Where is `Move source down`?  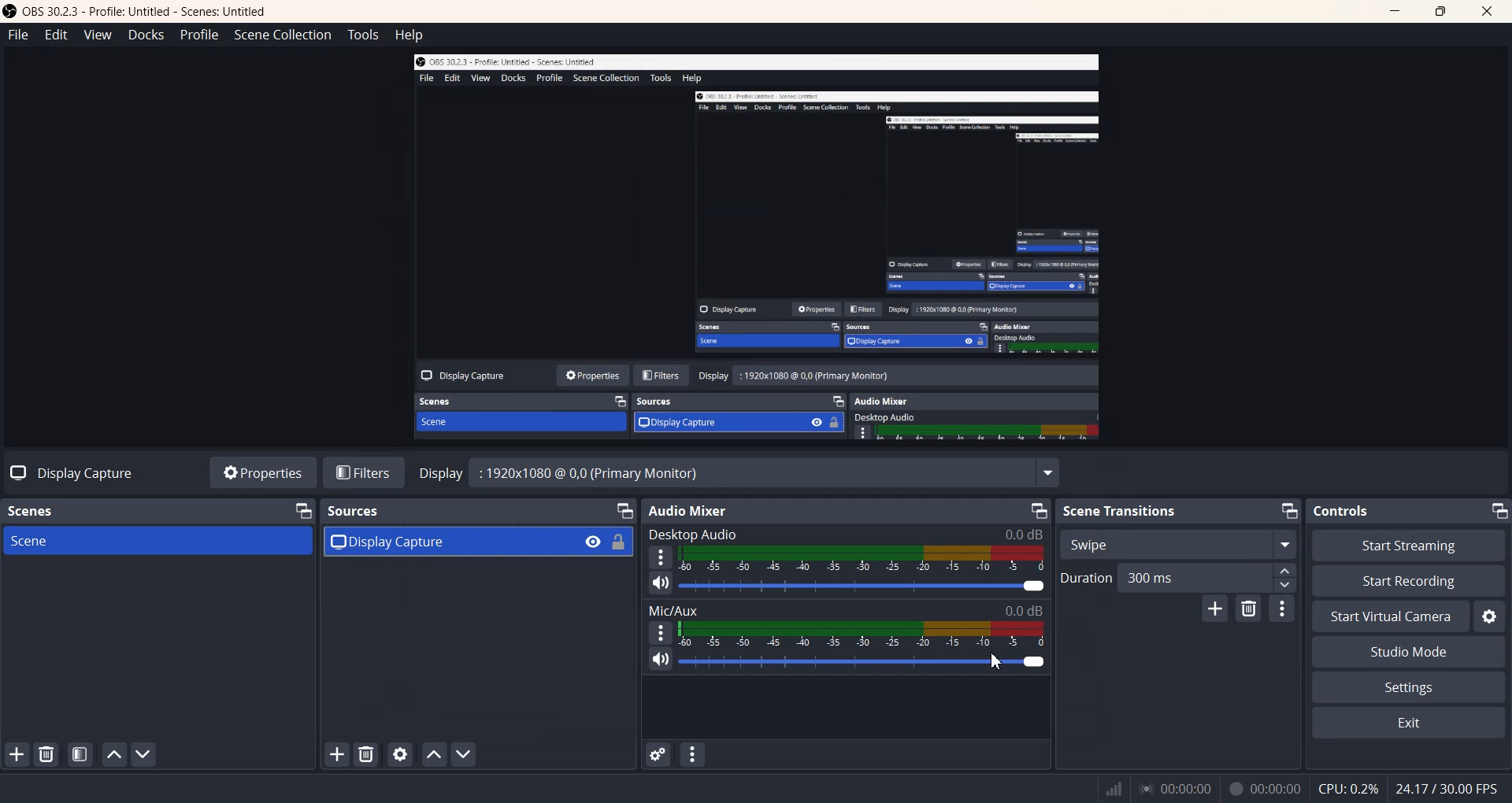
Move source down is located at coordinates (462, 754).